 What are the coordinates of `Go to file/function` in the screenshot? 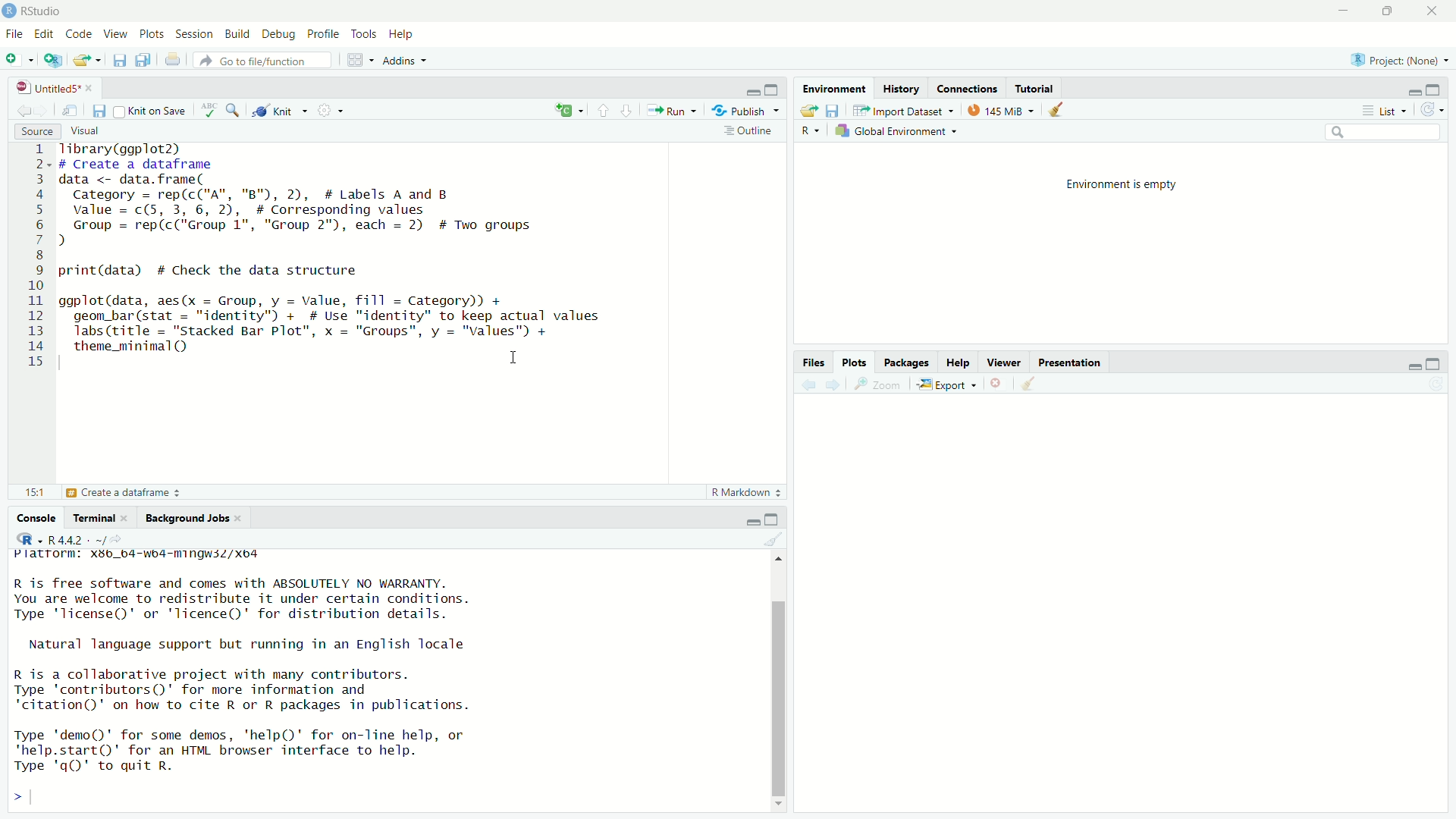 It's located at (265, 60).